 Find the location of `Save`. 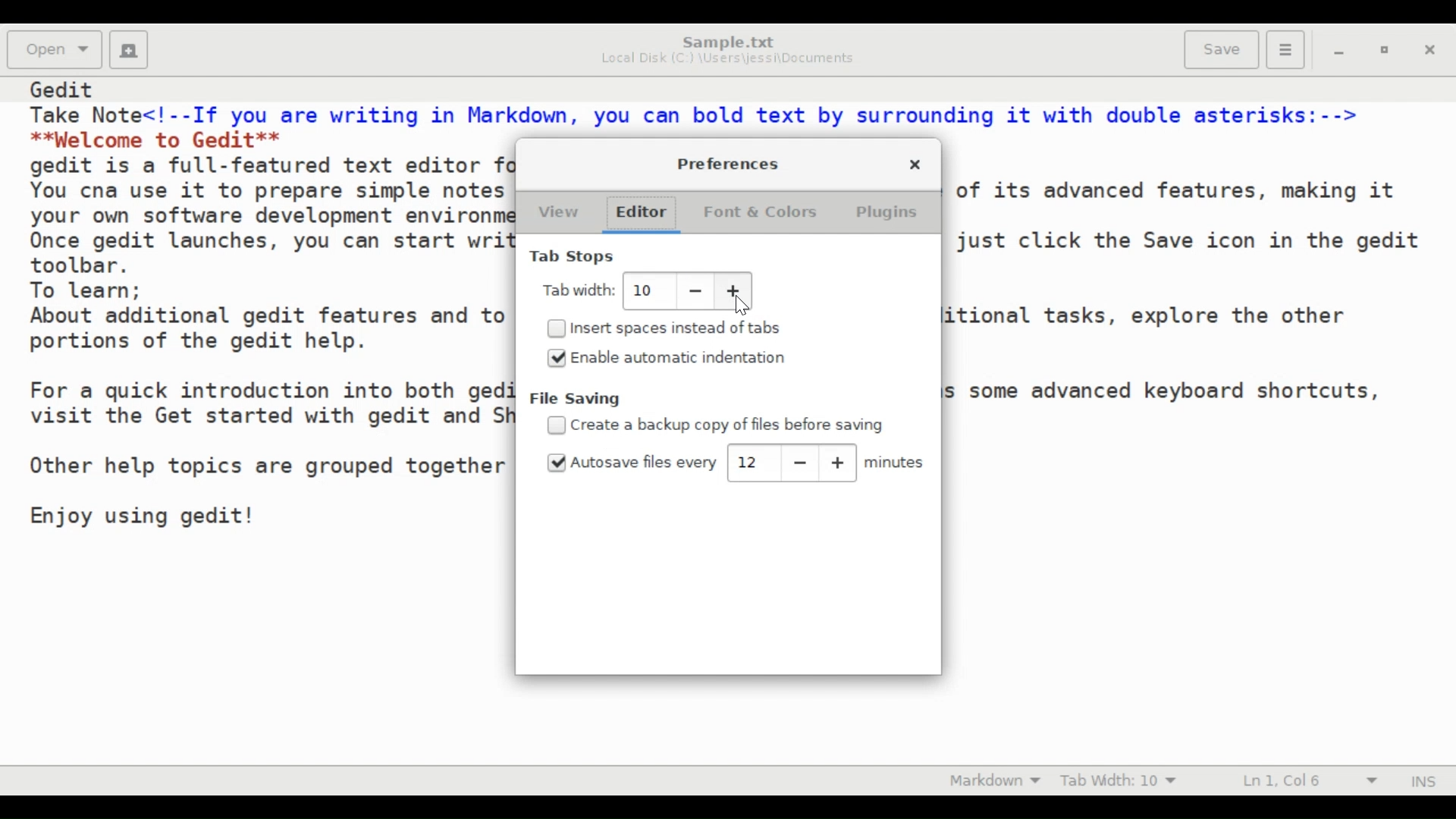

Save is located at coordinates (1222, 50).